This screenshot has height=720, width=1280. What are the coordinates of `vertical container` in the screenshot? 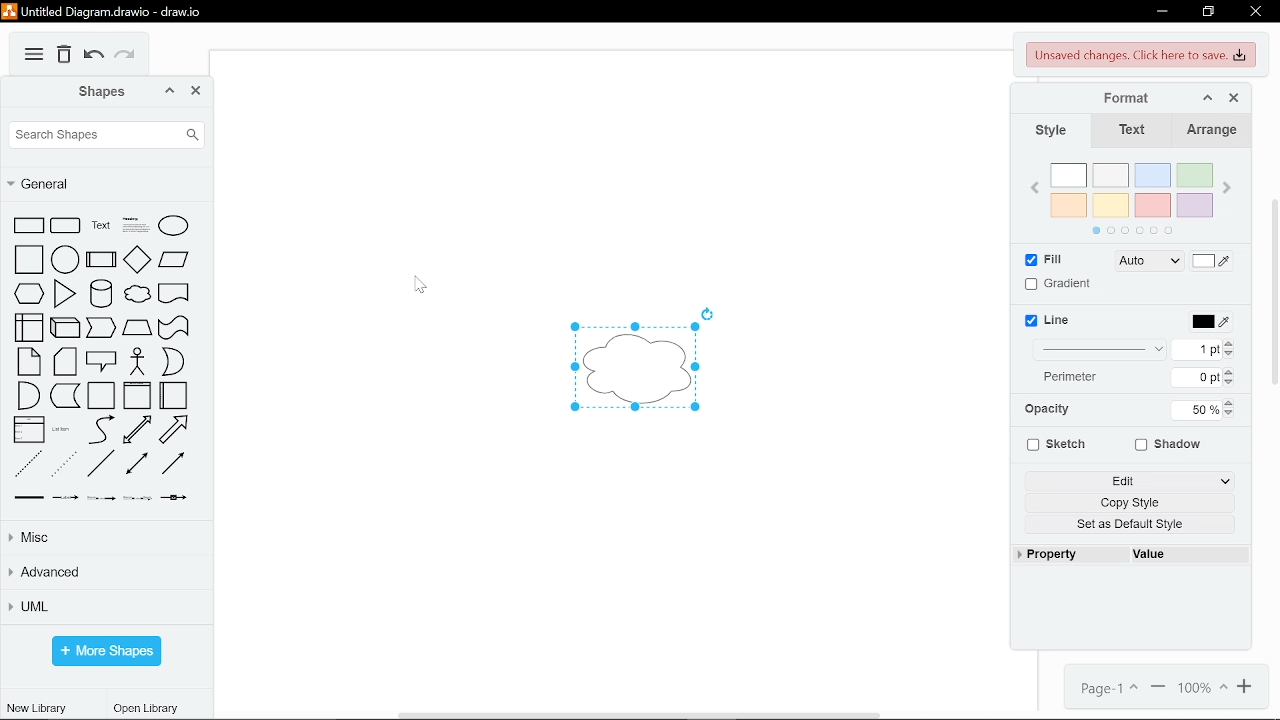 It's located at (138, 396).